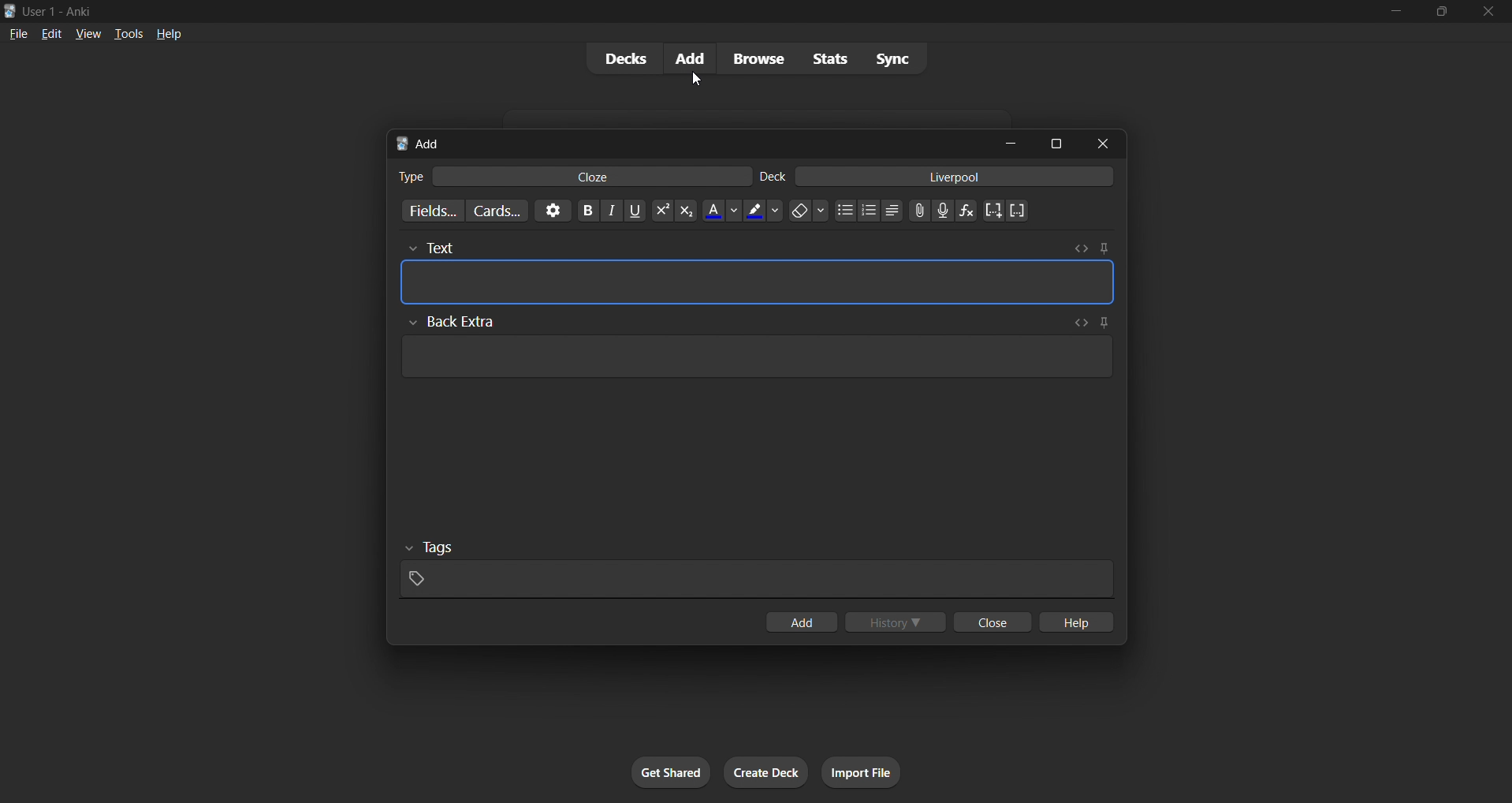 The width and height of the screenshot is (1512, 803). I want to click on card text field, so click(759, 285).